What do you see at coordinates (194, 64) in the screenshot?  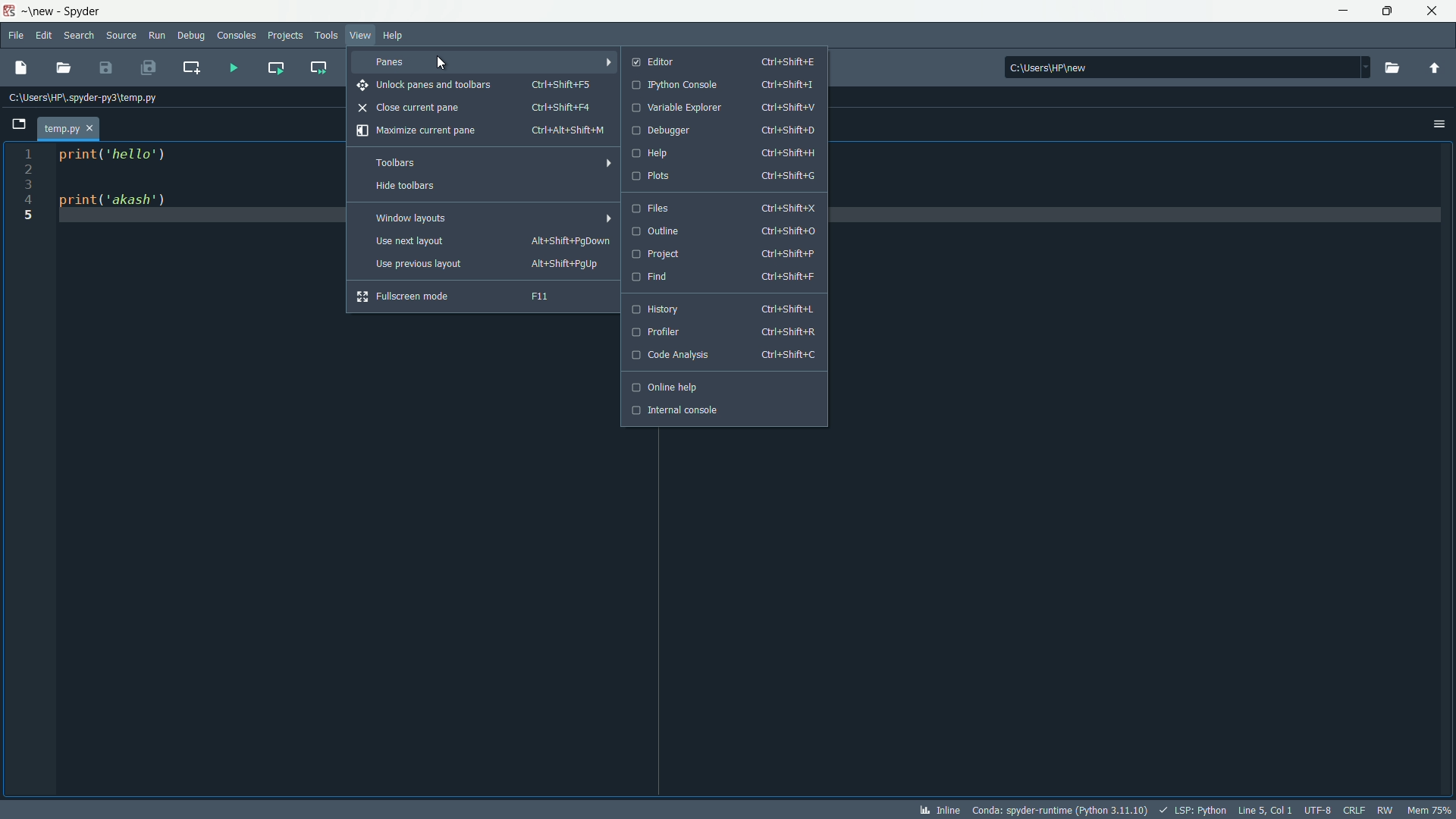 I see `create new cell at the current line` at bounding box center [194, 64].